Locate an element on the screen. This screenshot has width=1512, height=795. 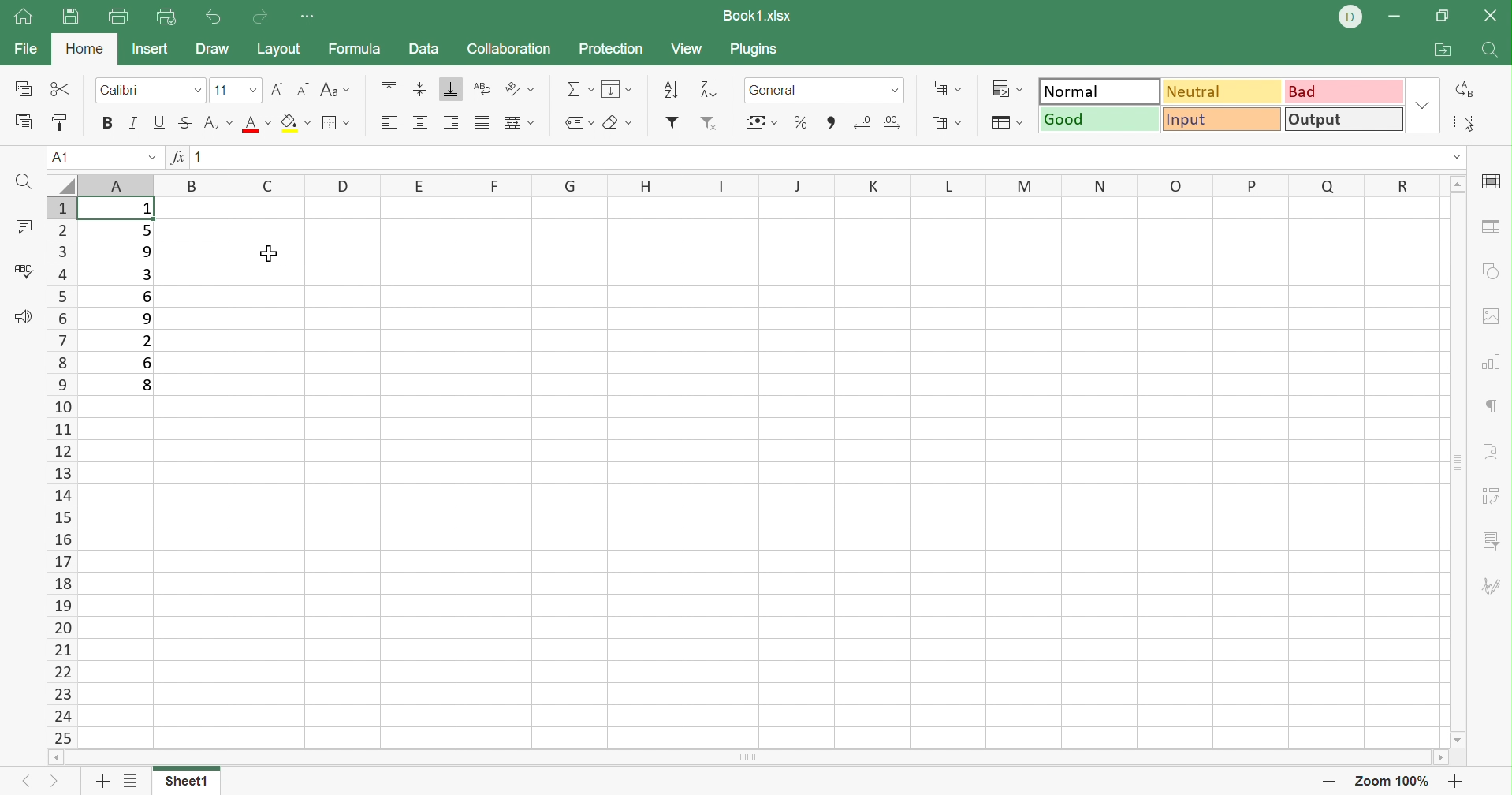
Delete cells is located at coordinates (948, 123).